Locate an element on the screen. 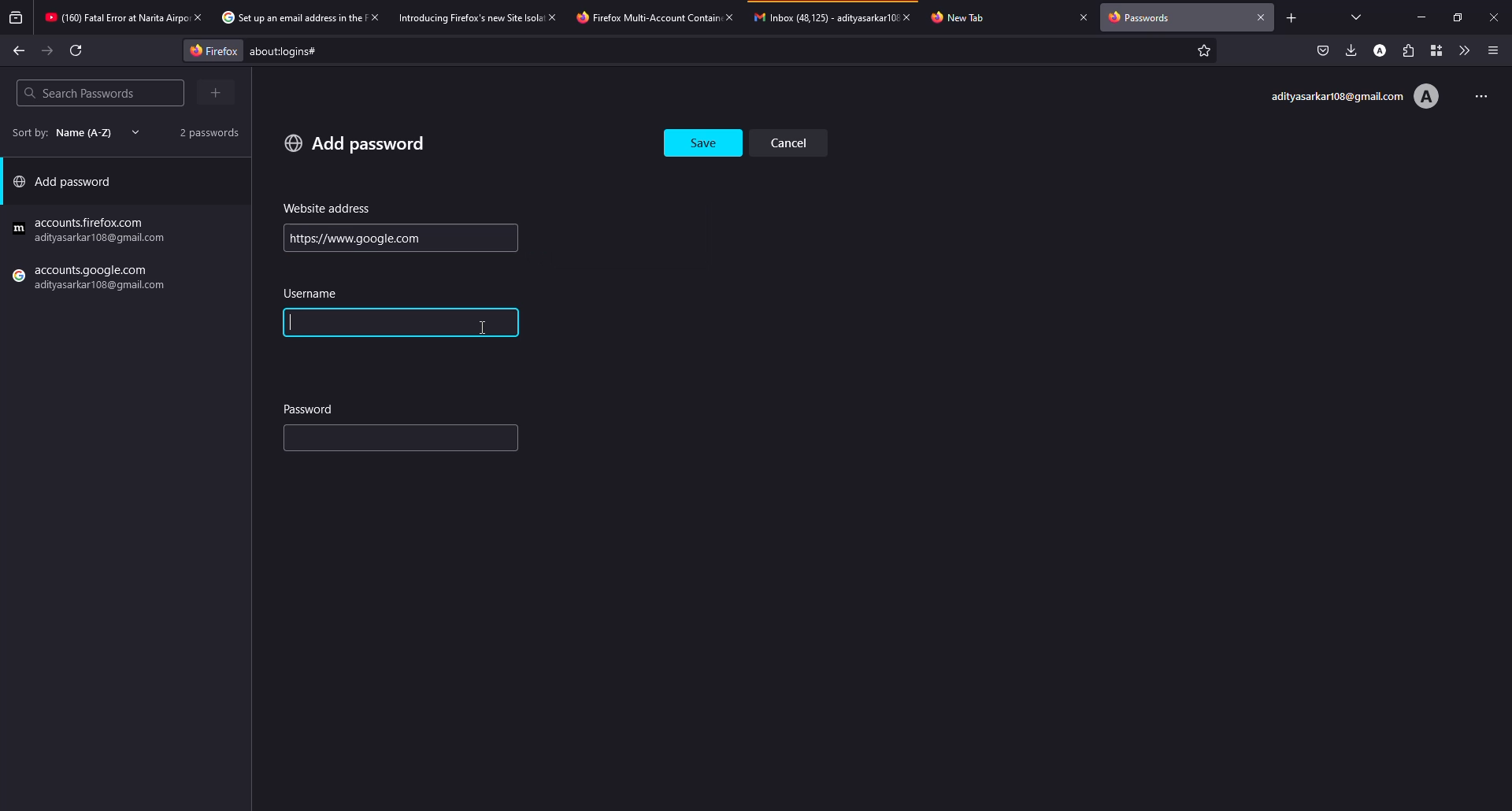  maximize is located at coordinates (1454, 17).